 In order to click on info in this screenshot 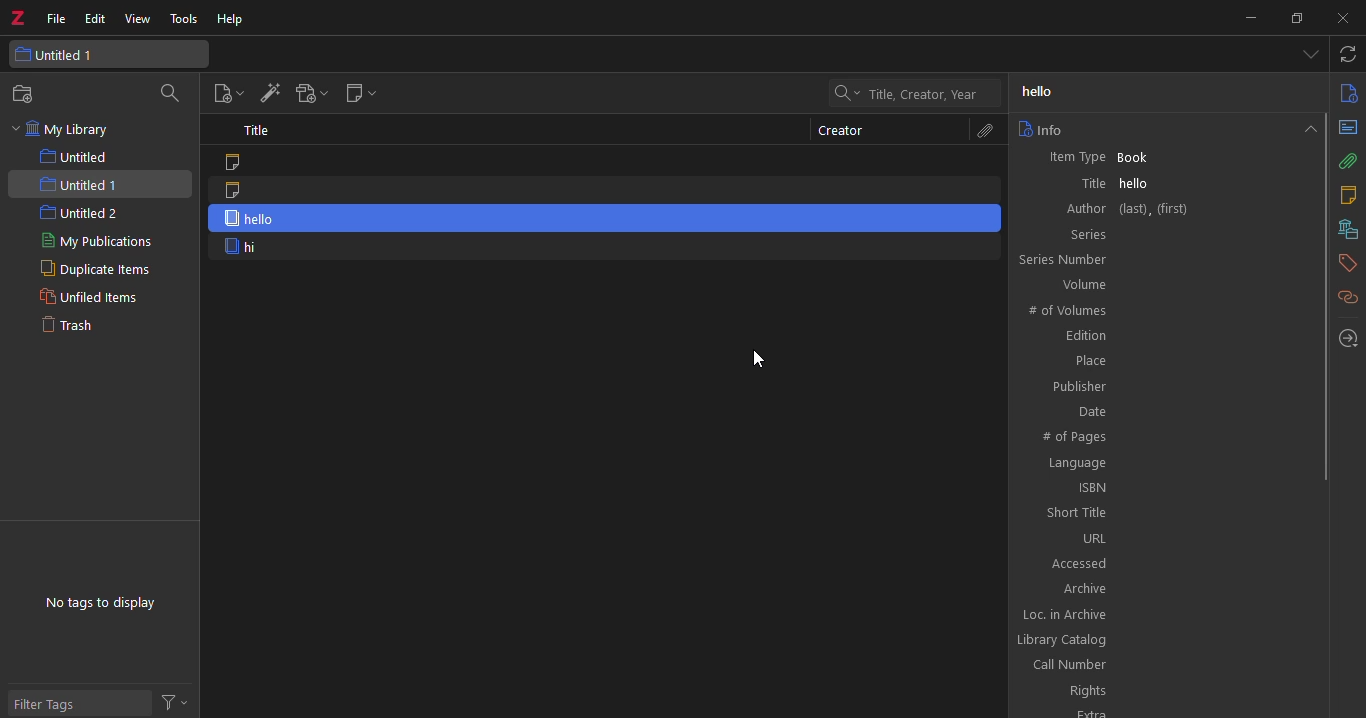, I will do `click(1041, 129)`.